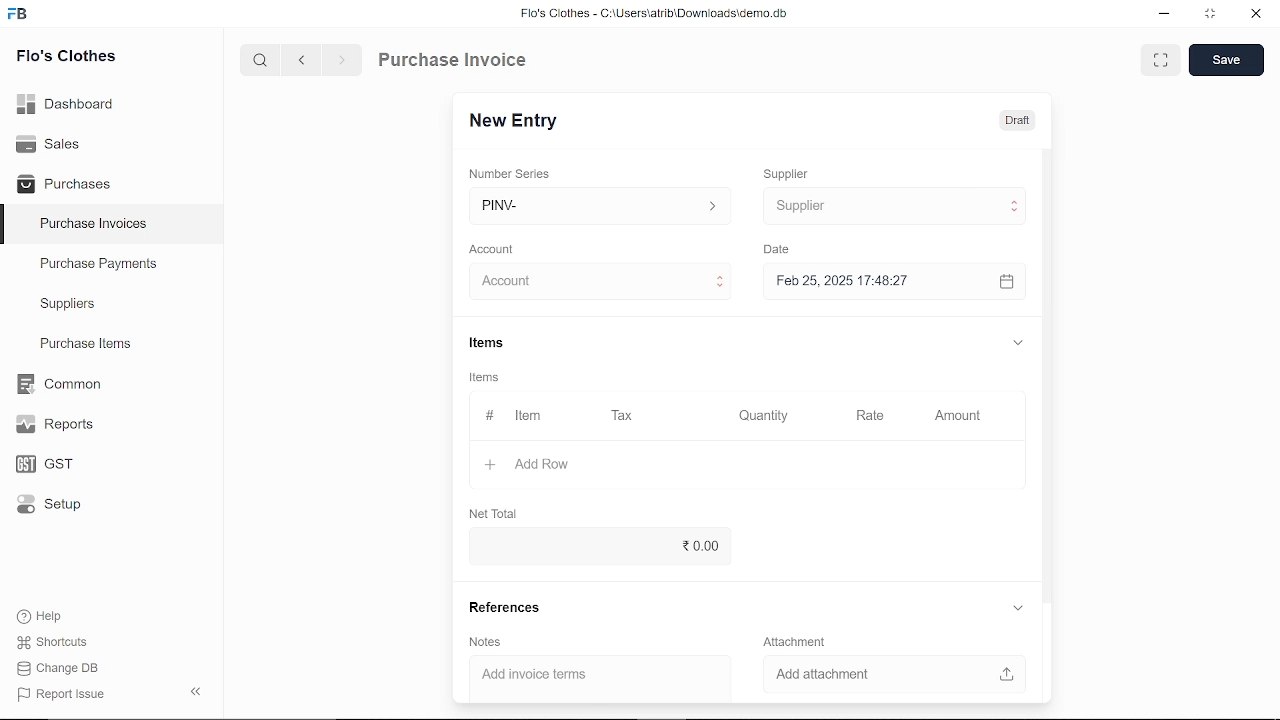 This screenshot has width=1280, height=720. I want to click on Flo's Clothes - C:\Users\alrib\Downioads'cemo.db., so click(653, 17).